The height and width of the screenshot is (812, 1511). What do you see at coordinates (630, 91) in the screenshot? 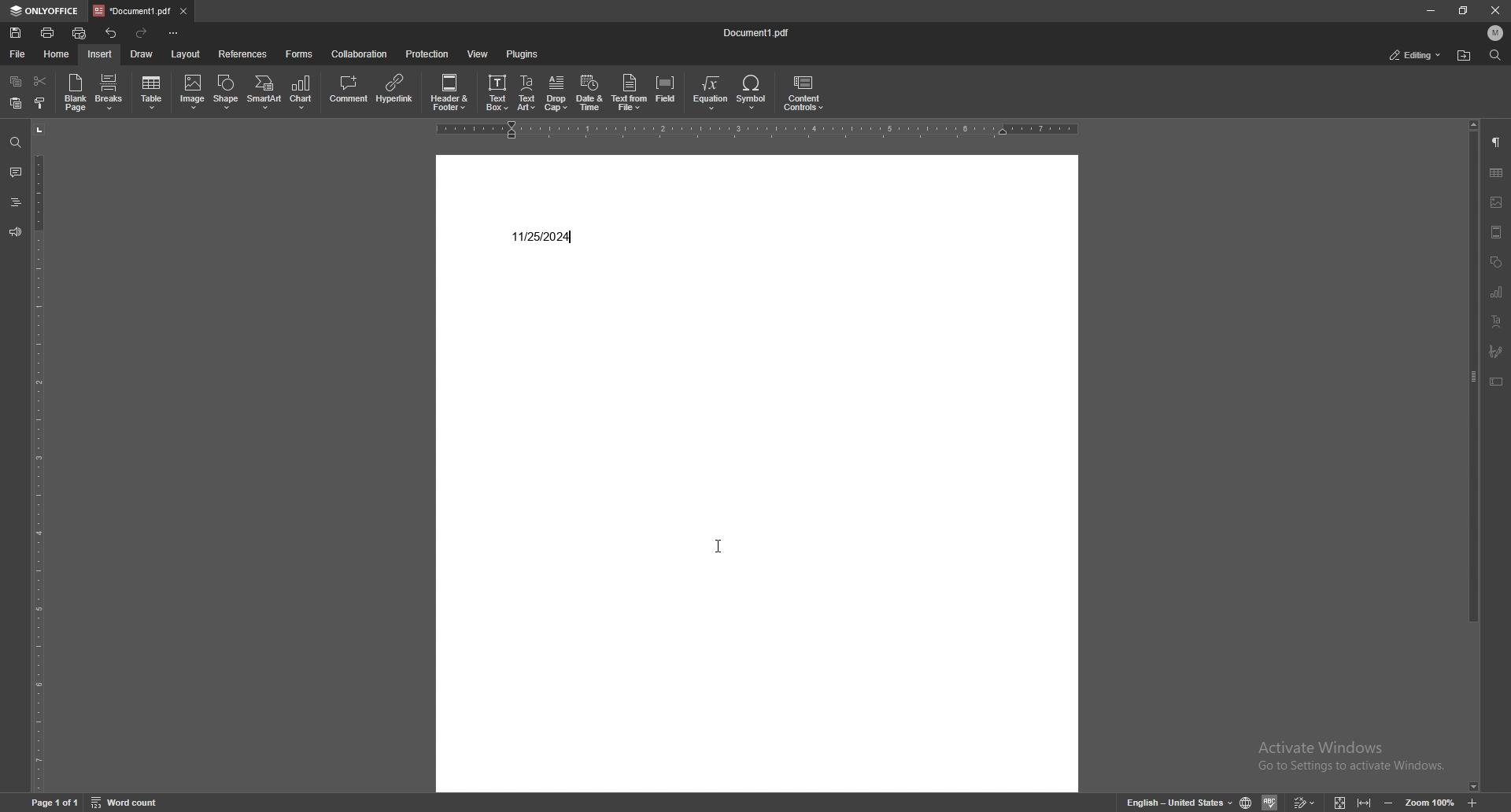
I see `text from file` at bounding box center [630, 91].